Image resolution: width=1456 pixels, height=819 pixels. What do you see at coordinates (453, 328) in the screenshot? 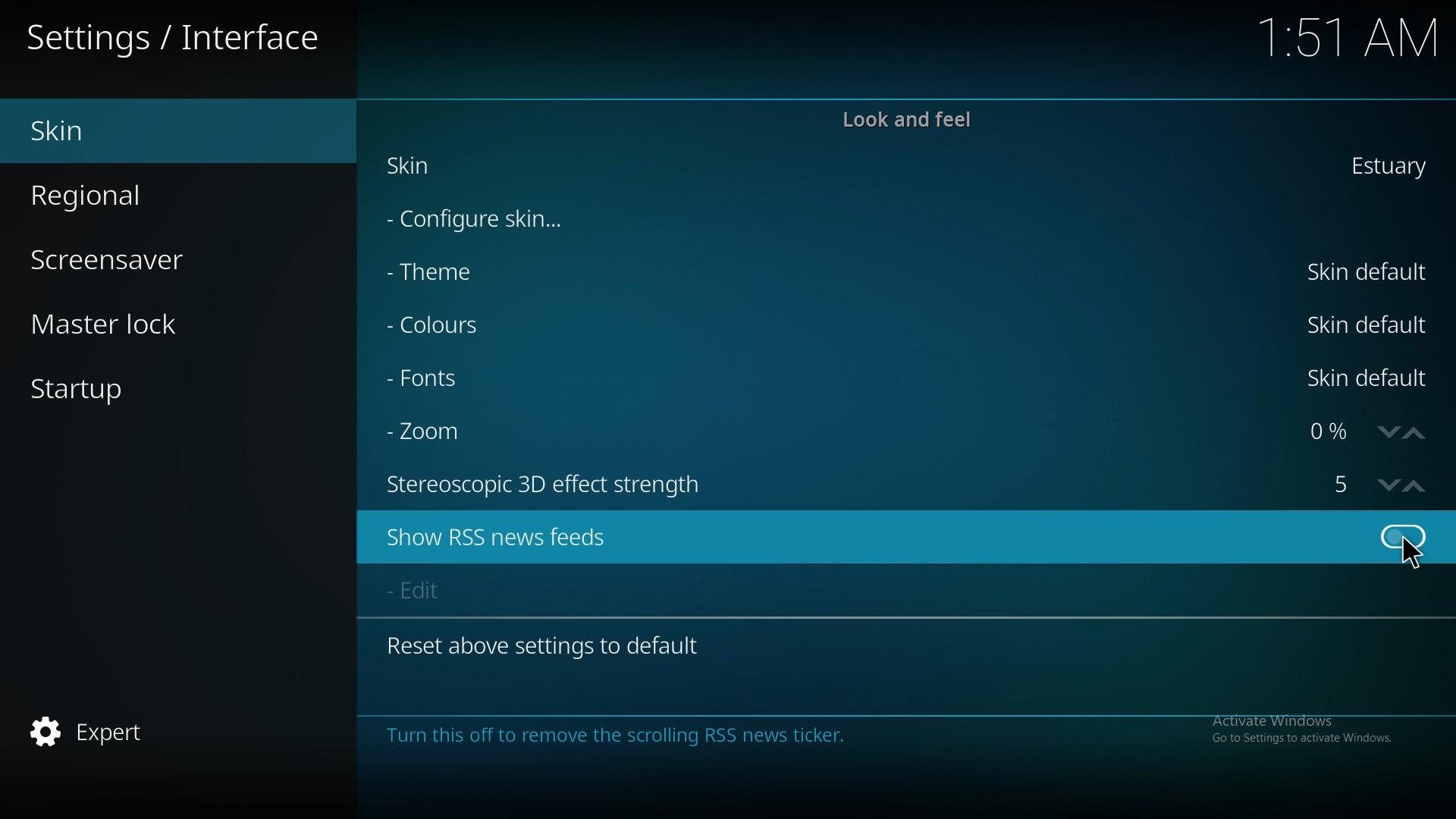
I see `colours` at bounding box center [453, 328].